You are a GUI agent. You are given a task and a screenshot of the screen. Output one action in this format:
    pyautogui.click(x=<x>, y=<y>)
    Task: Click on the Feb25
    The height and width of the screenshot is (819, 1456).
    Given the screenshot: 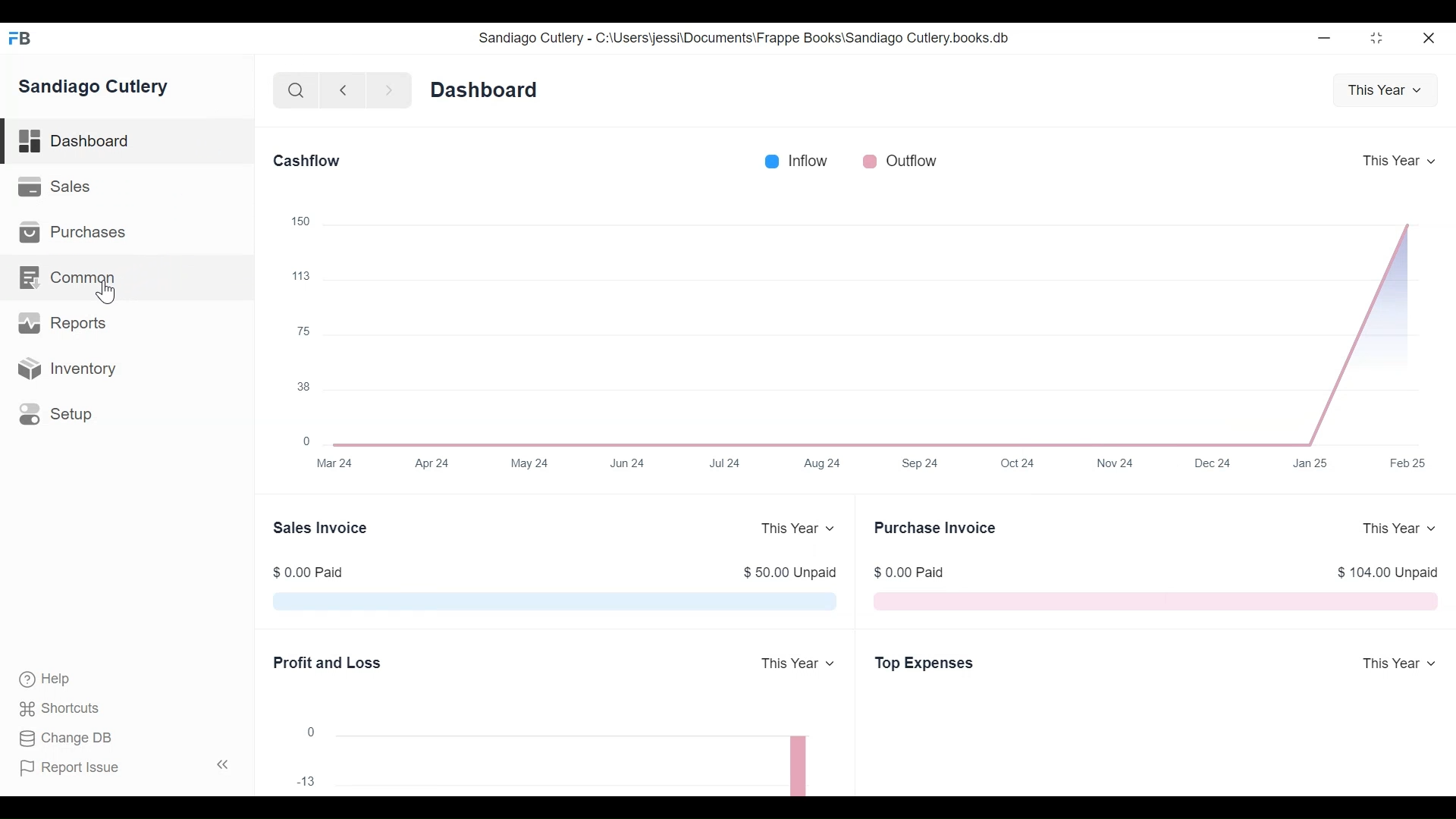 What is the action you would take?
    pyautogui.click(x=1406, y=463)
    